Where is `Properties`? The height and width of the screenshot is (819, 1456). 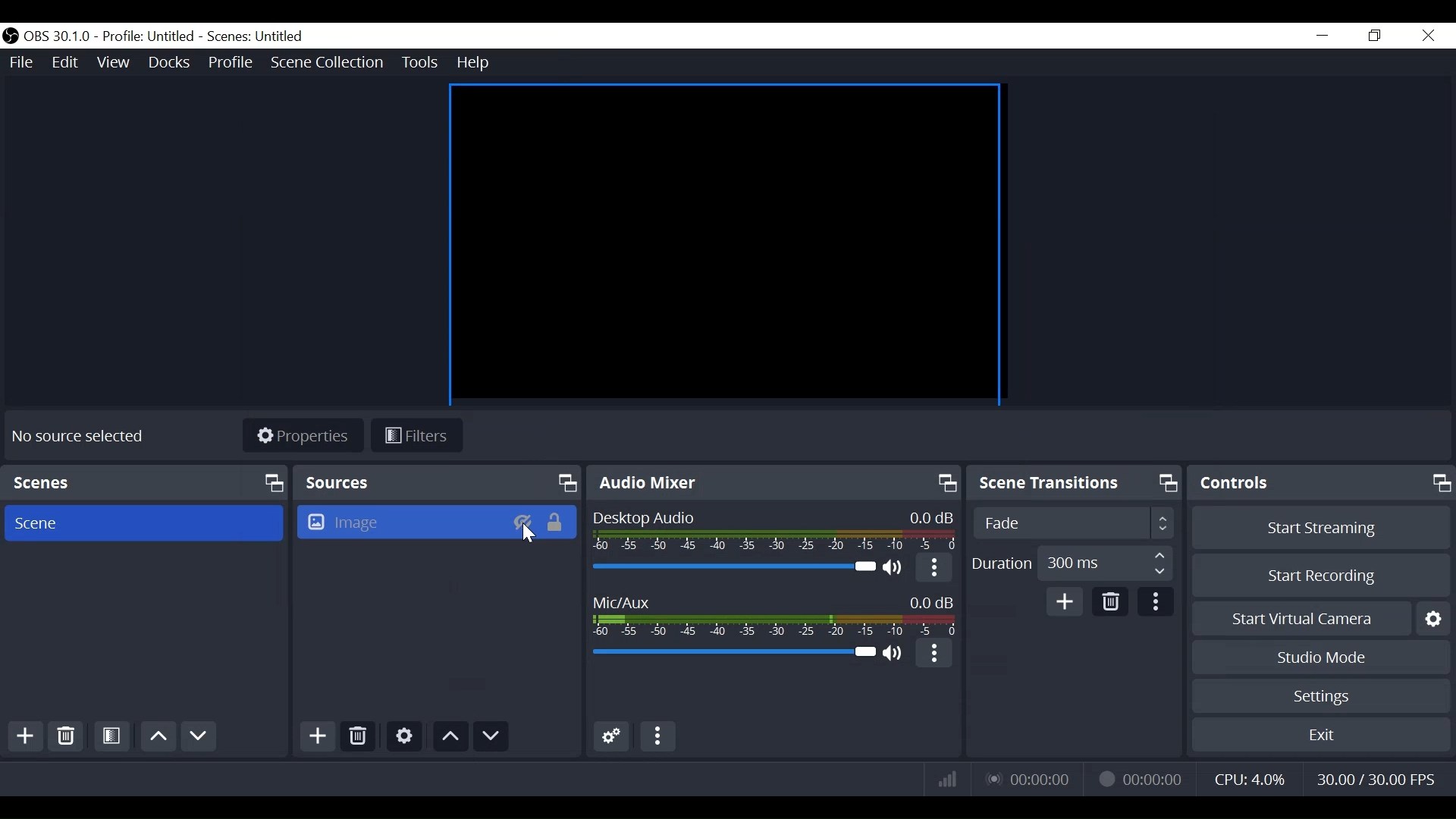
Properties is located at coordinates (302, 435).